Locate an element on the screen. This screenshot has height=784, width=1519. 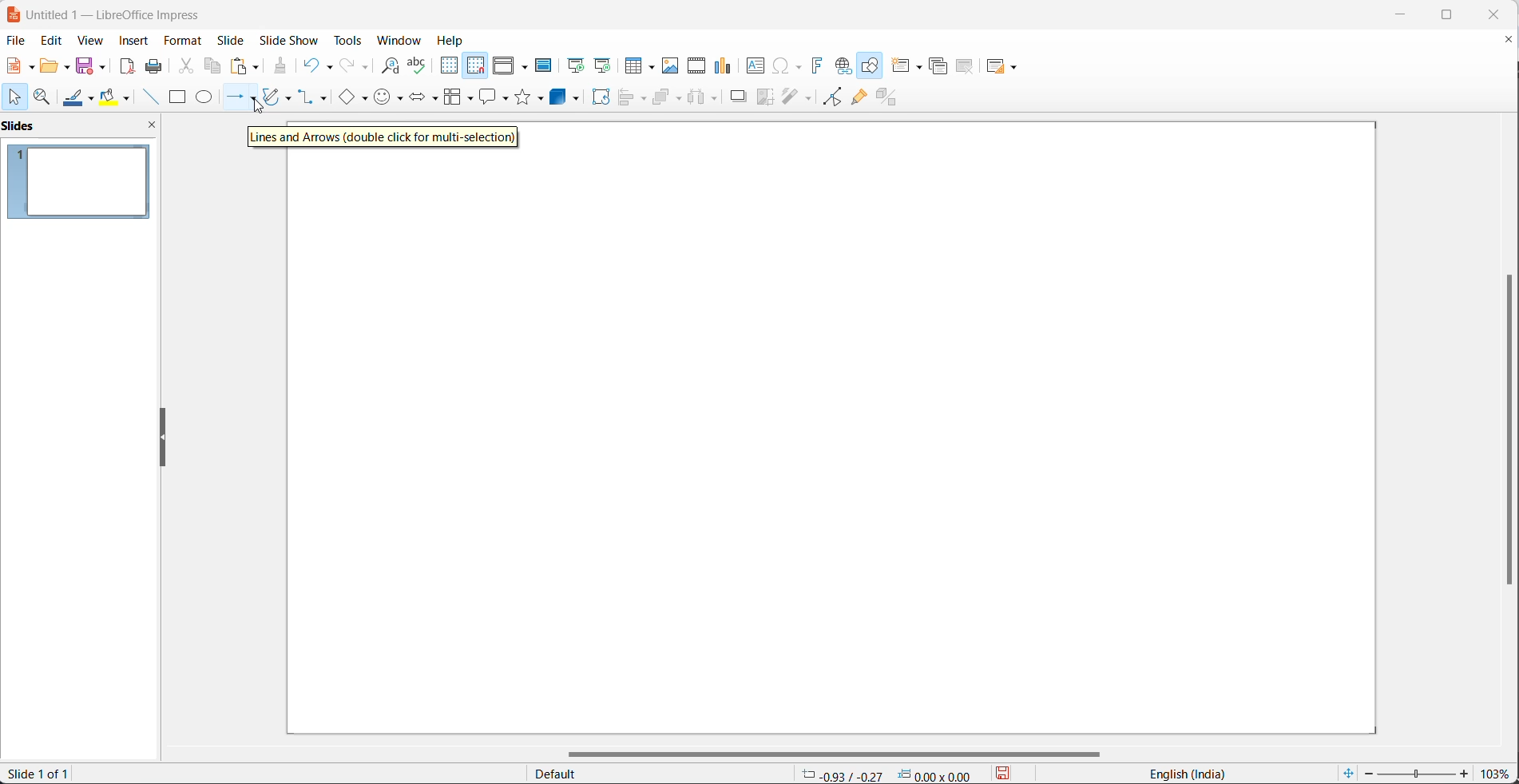
rotate is located at coordinates (601, 98).